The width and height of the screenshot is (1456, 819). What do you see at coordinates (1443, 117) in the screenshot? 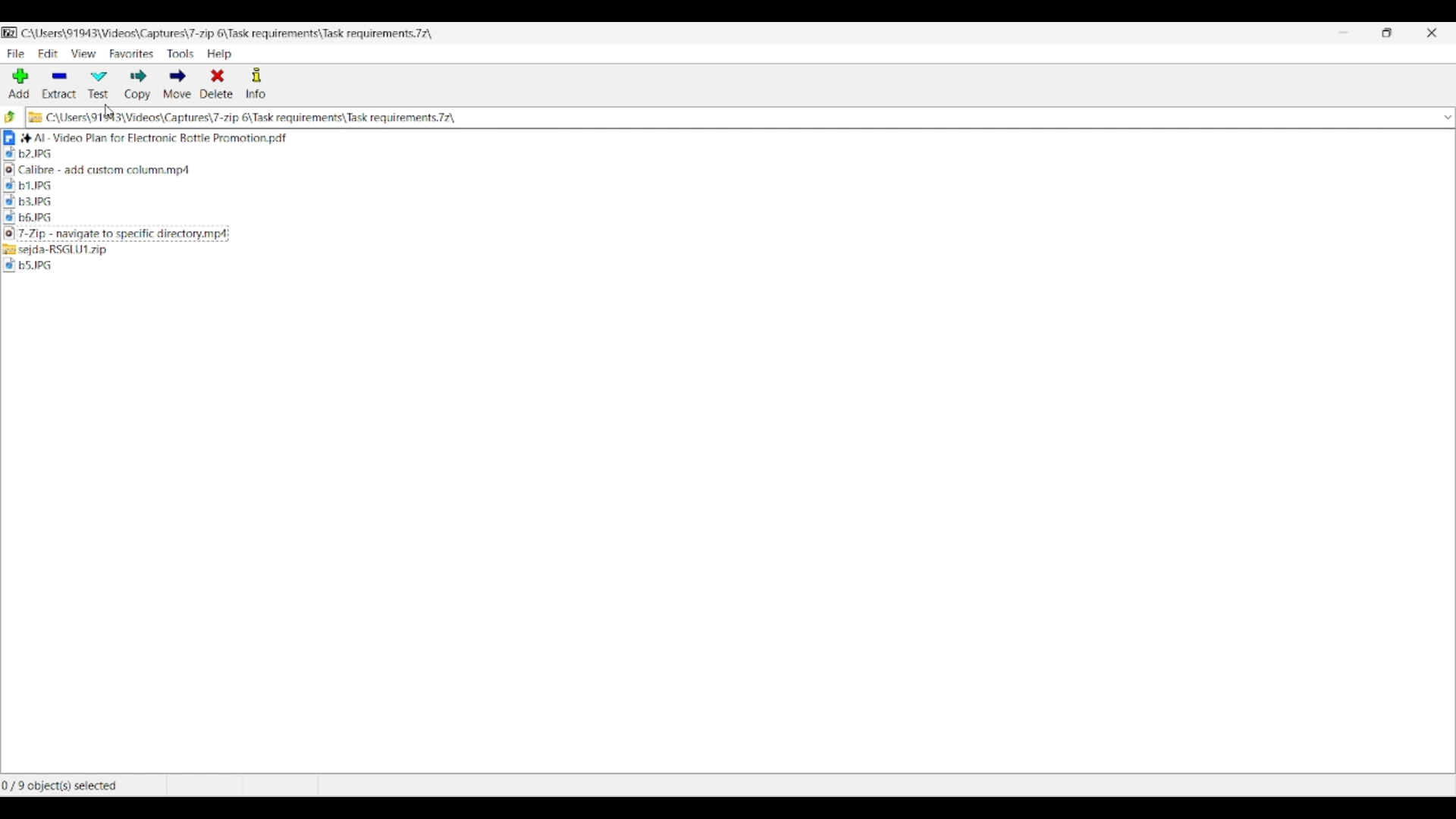
I see `list folder locations` at bounding box center [1443, 117].